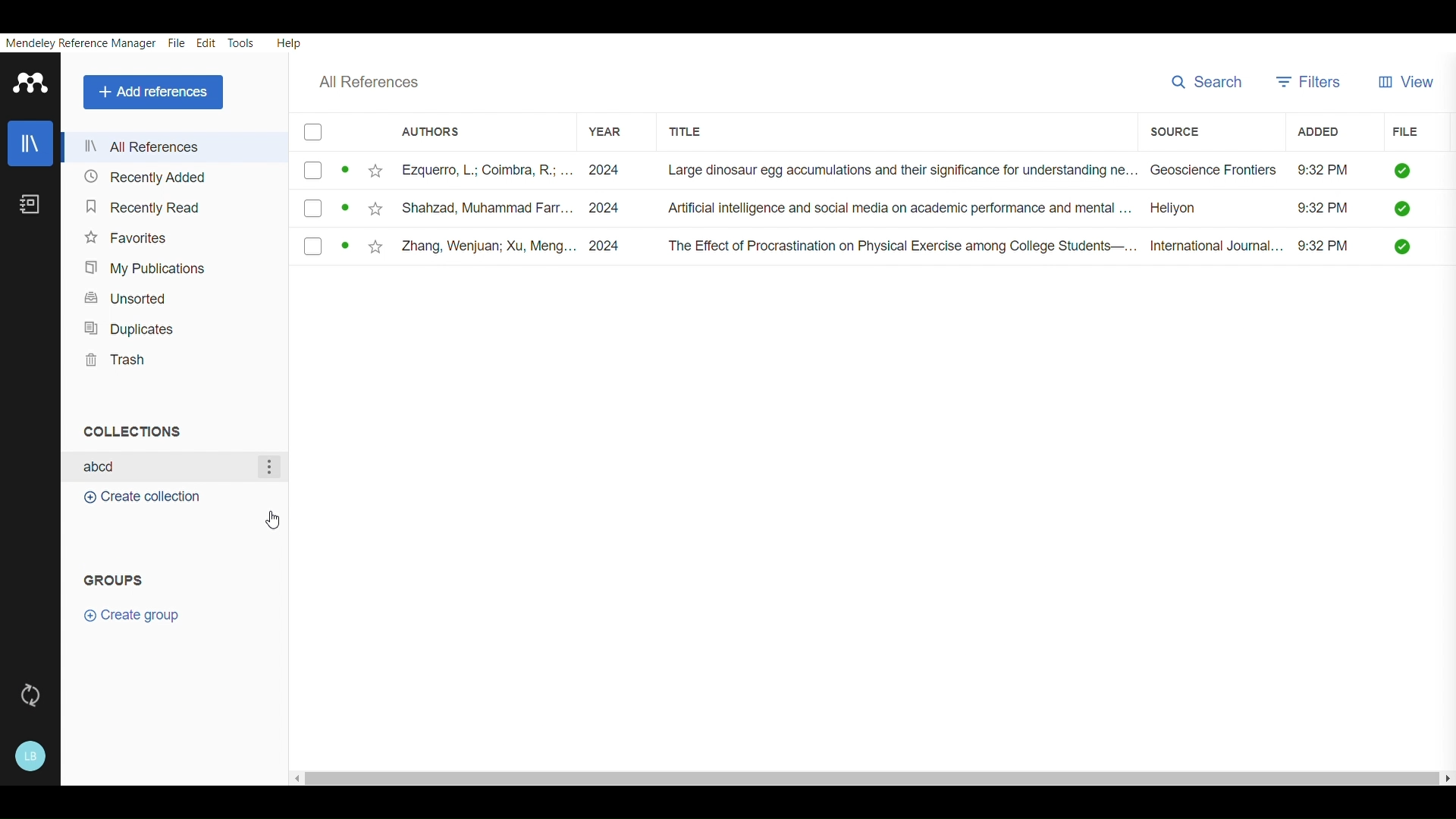  What do you see at coordinates (241, 42) in the screenshot?
I see `Tools` at bounding box center [241, 42].